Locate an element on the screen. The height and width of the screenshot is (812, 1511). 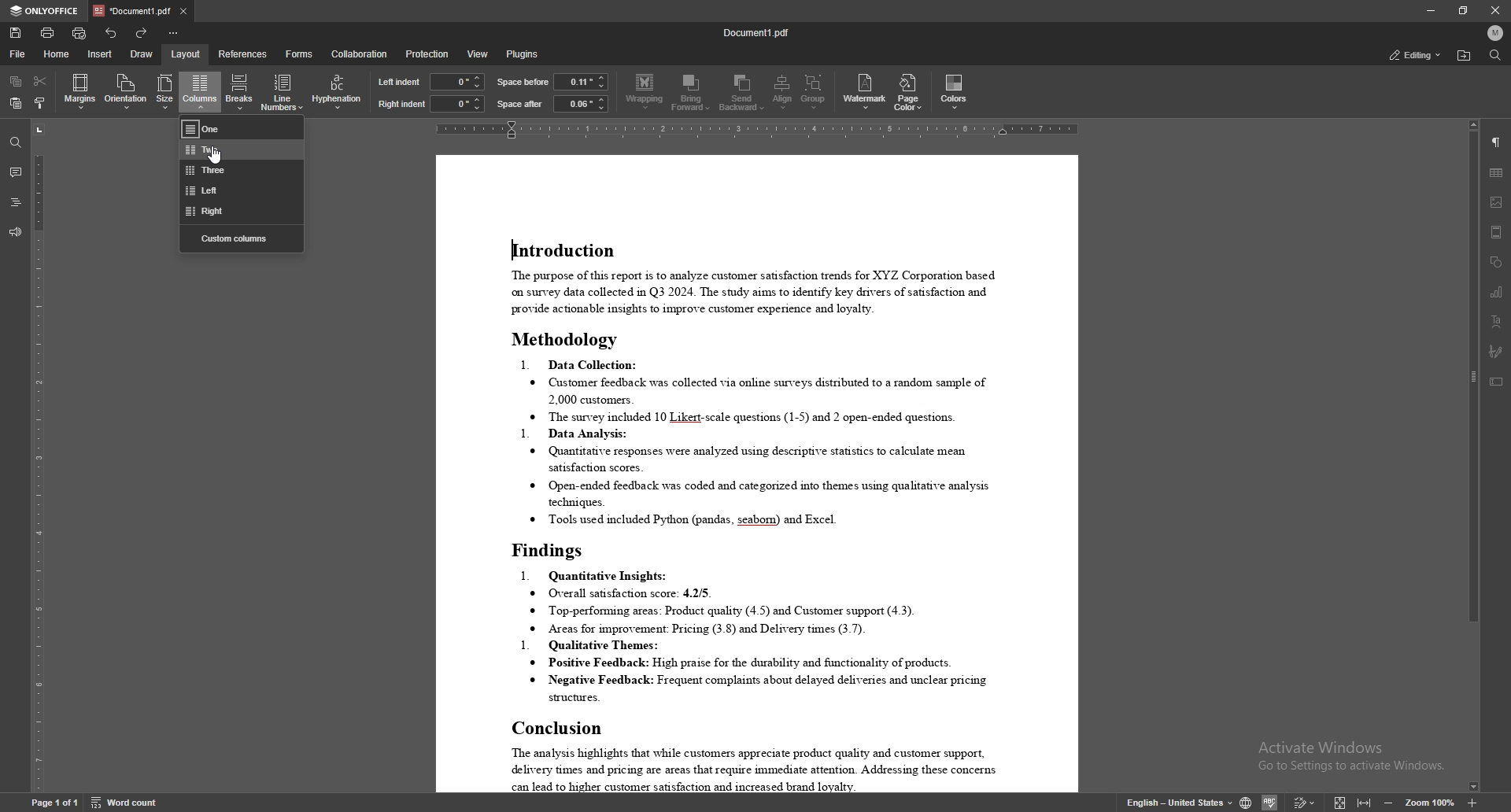
page is located at coordinates (54, 803).